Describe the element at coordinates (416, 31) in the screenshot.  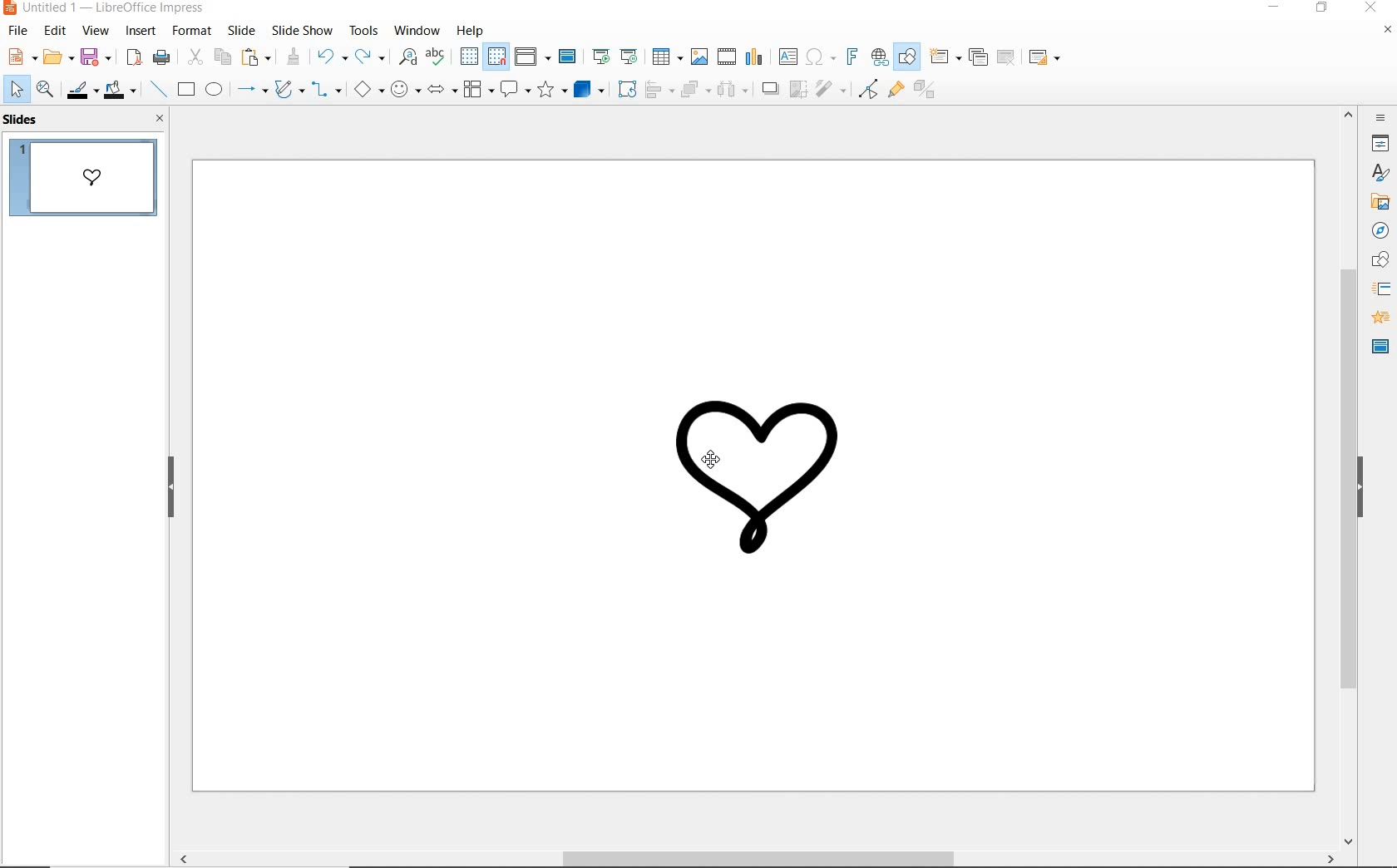
I see `window` at that location.